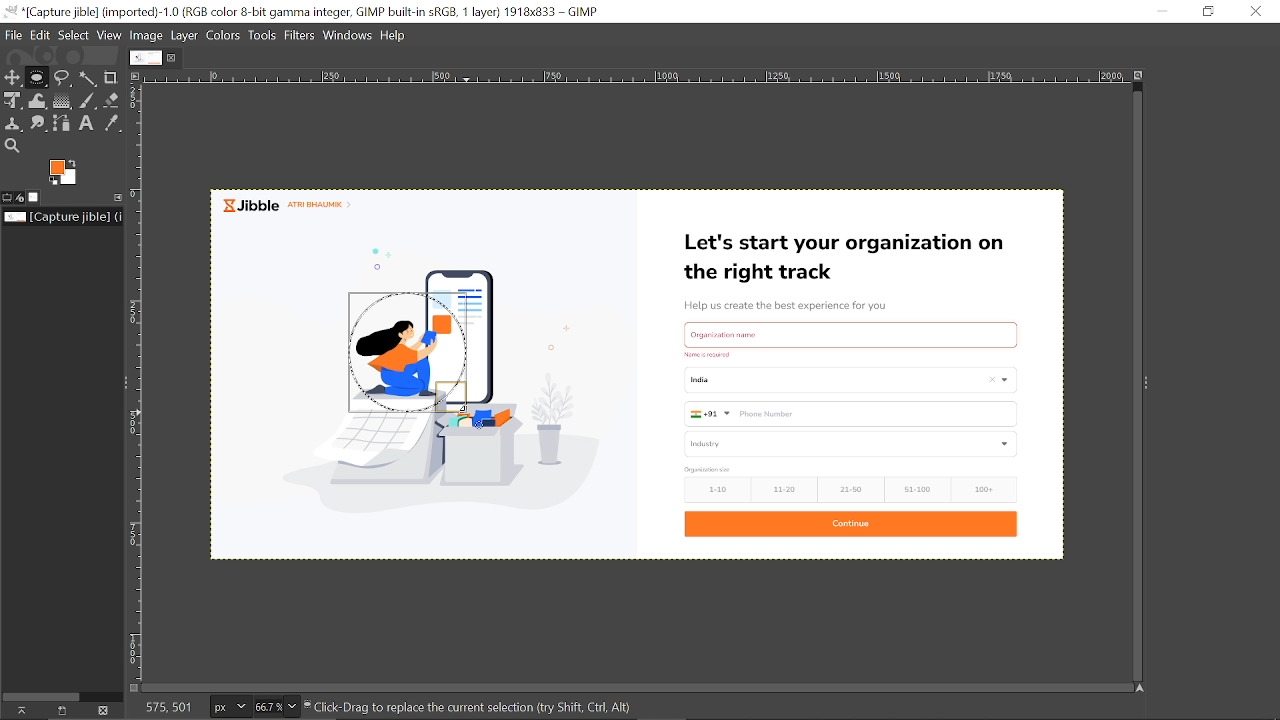 The image size is (1280, 720). Describe the element at coordinates (305, 13) in the screenshot. I see `Current window` at that location.